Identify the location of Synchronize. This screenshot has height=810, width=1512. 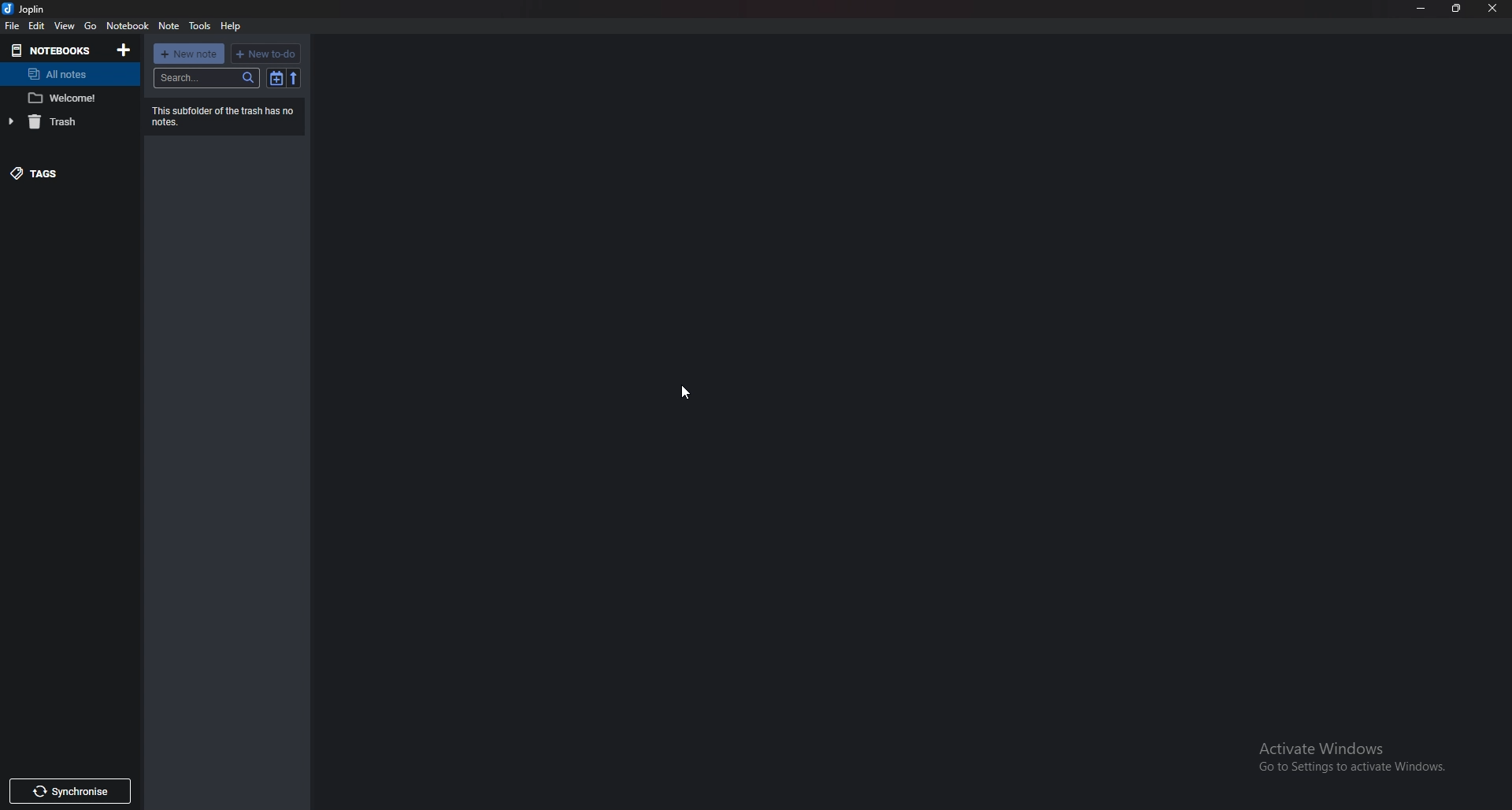
(71, 792).